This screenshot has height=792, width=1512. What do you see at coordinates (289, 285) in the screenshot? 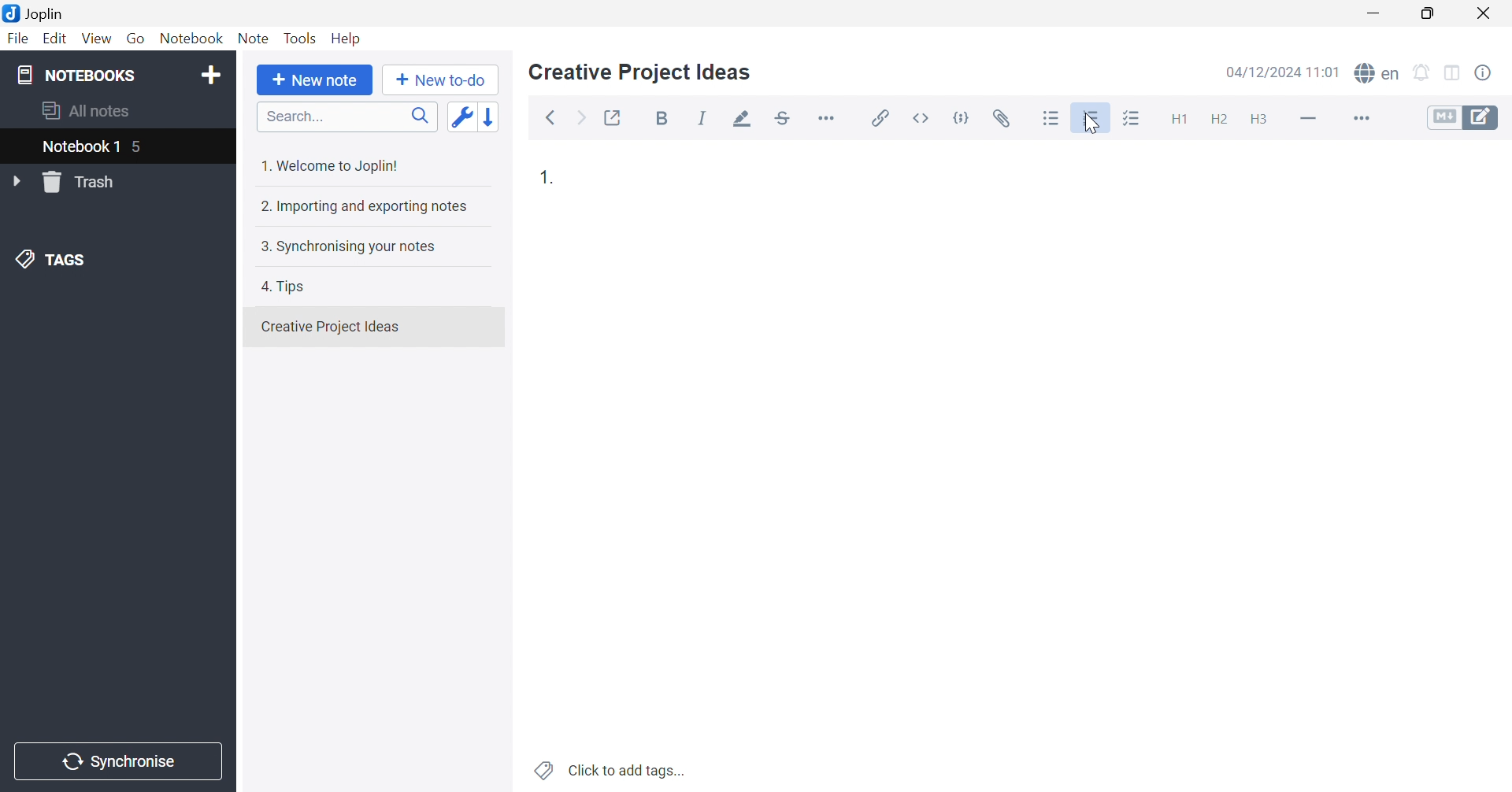
I see `4. Tips` at bounding box center [289, 285].